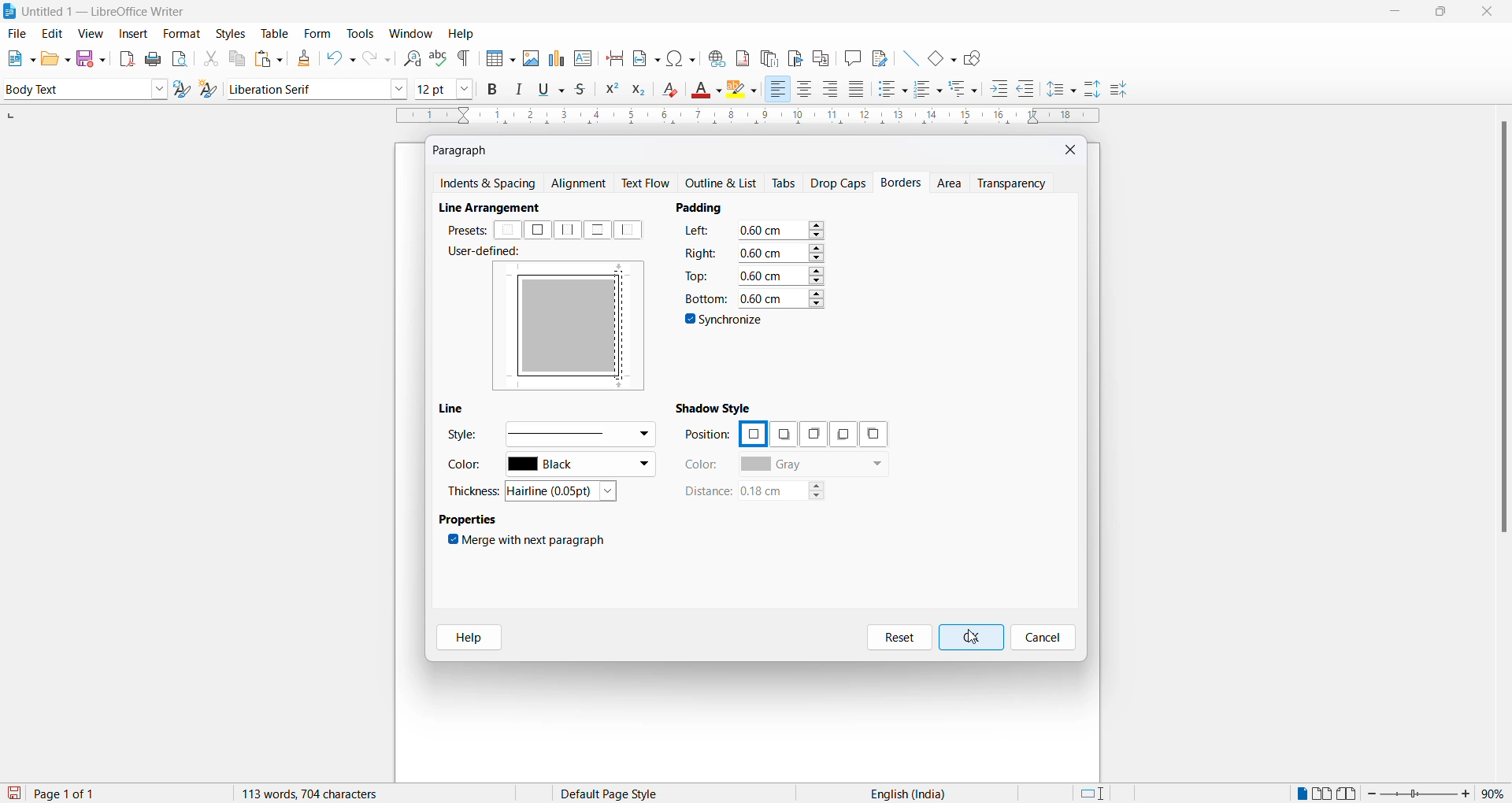 This screenshot has width=1512, height=803. I want to click on top, so click(699, 275).